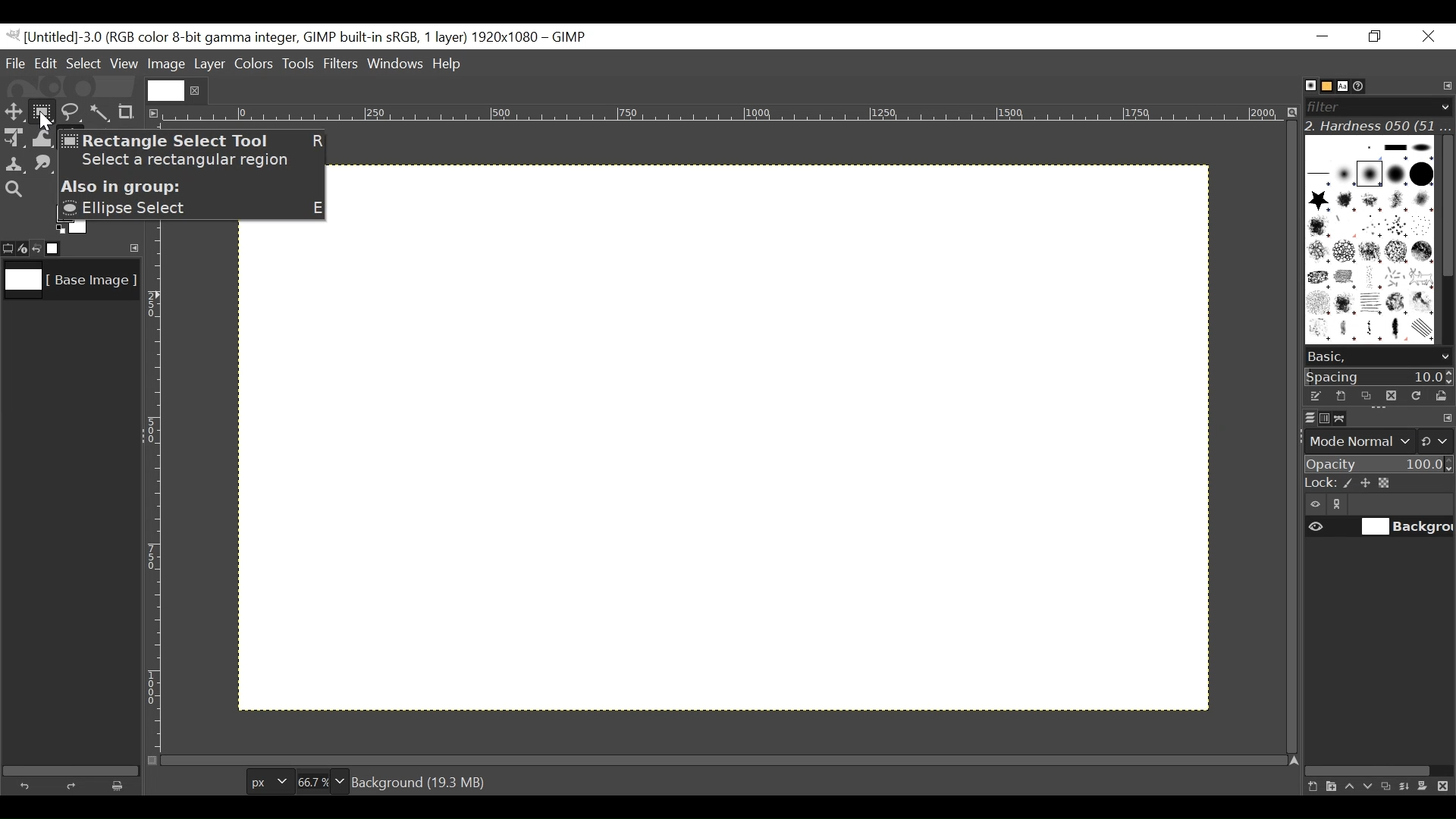 The height and width of the screenshot is (819, 1456). What do you see at coordinates (1378, 37) in the screenshot?
I see `Restore` at bounding box center [1378, 37].